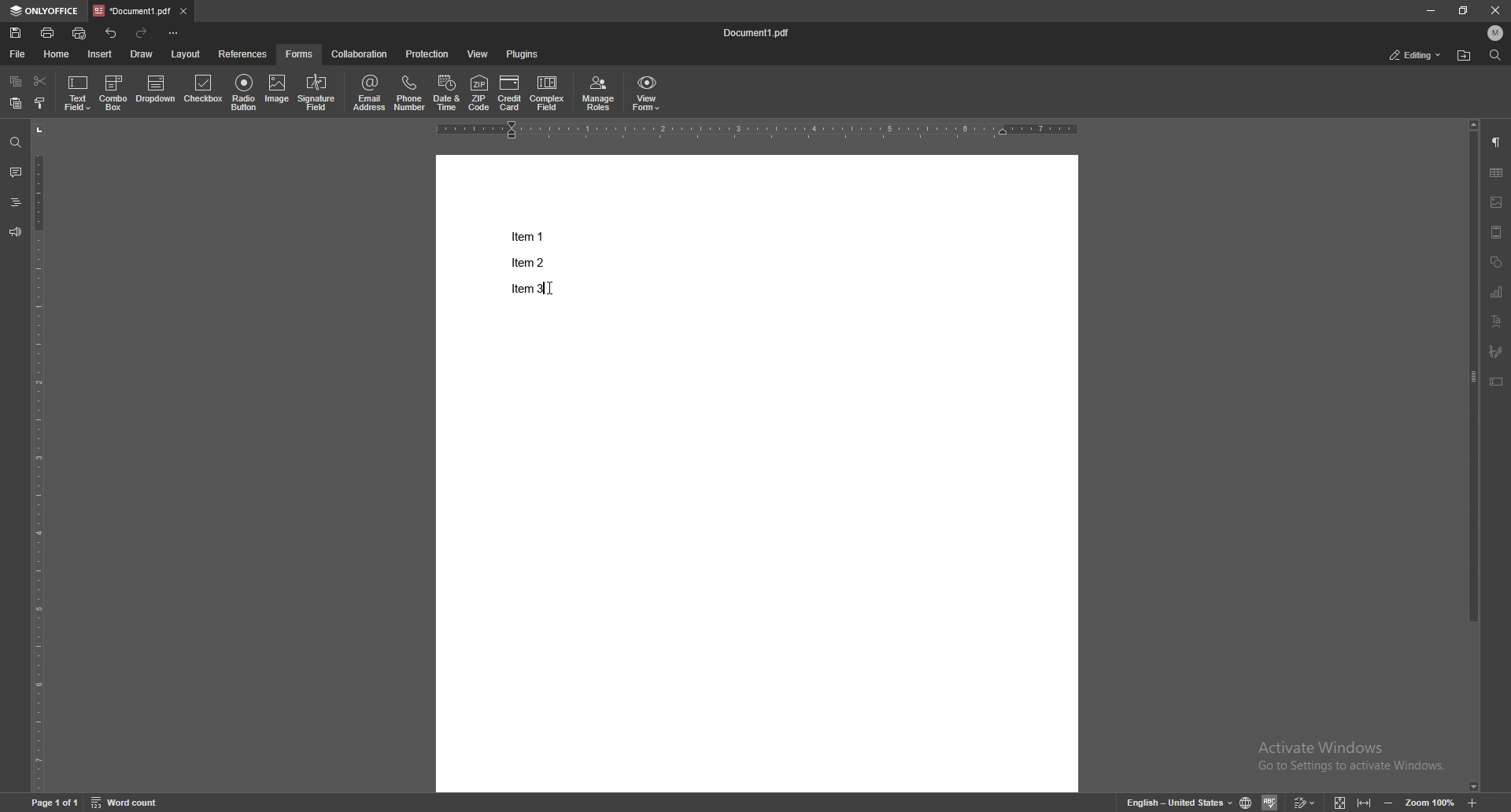  What do you see at coordinates (410, 92) in the screenshot?
I see `phone number` at bounding box center [410, 92].